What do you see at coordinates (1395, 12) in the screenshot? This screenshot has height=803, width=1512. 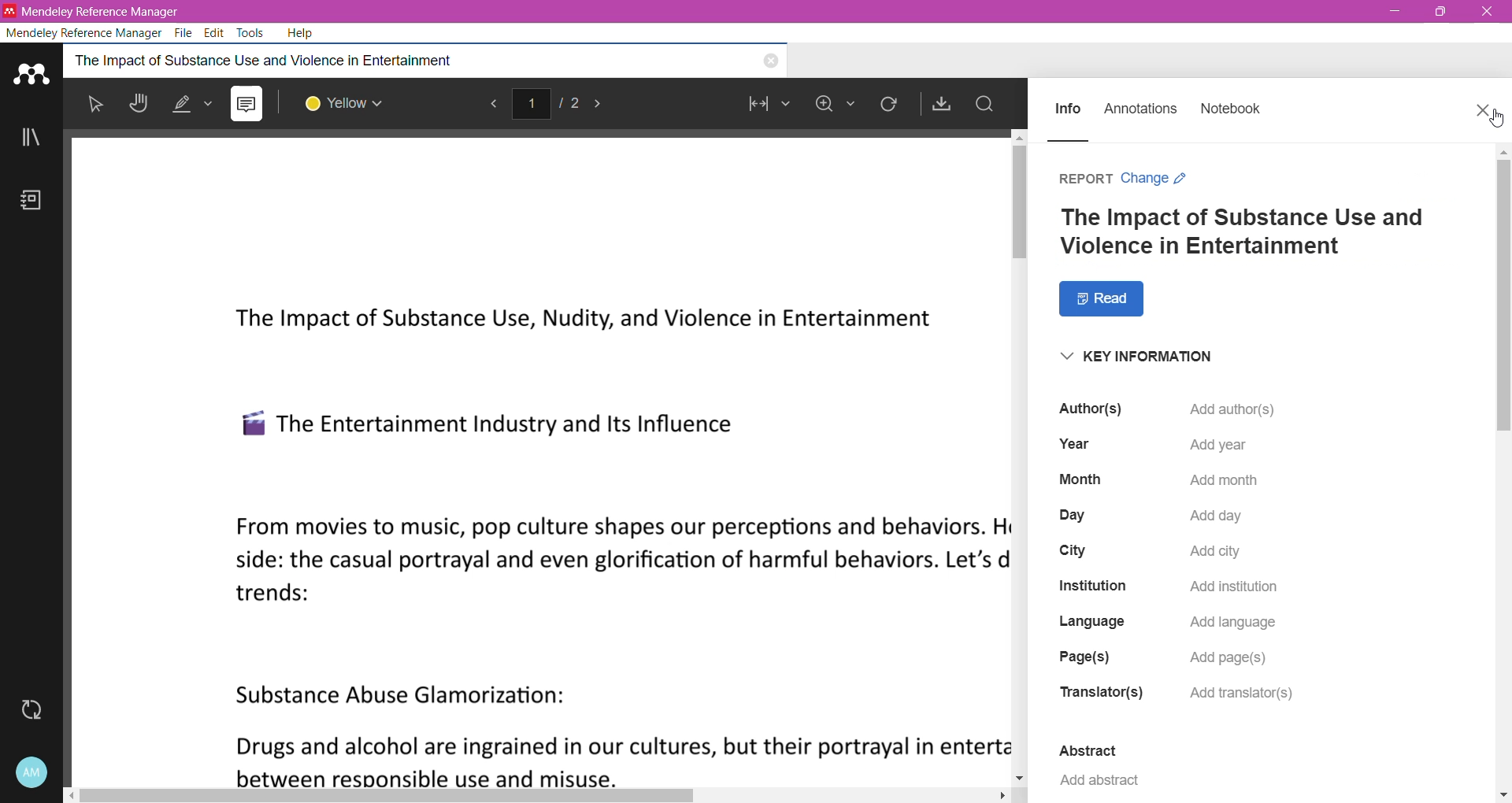 I see `Minimize` at bounding box center [1395, 12].